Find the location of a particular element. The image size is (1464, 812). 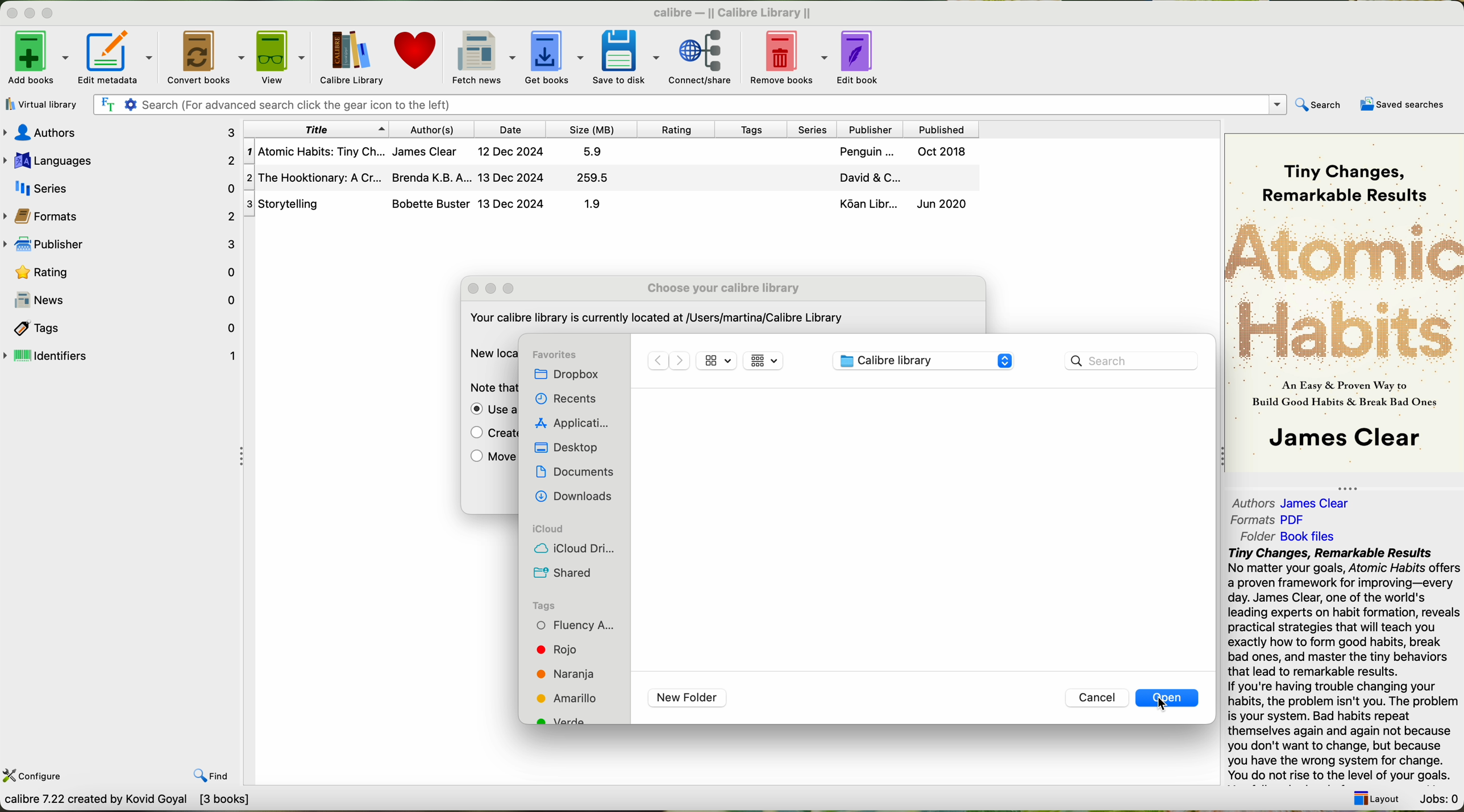

red tag is located at coordinates (581, 651).